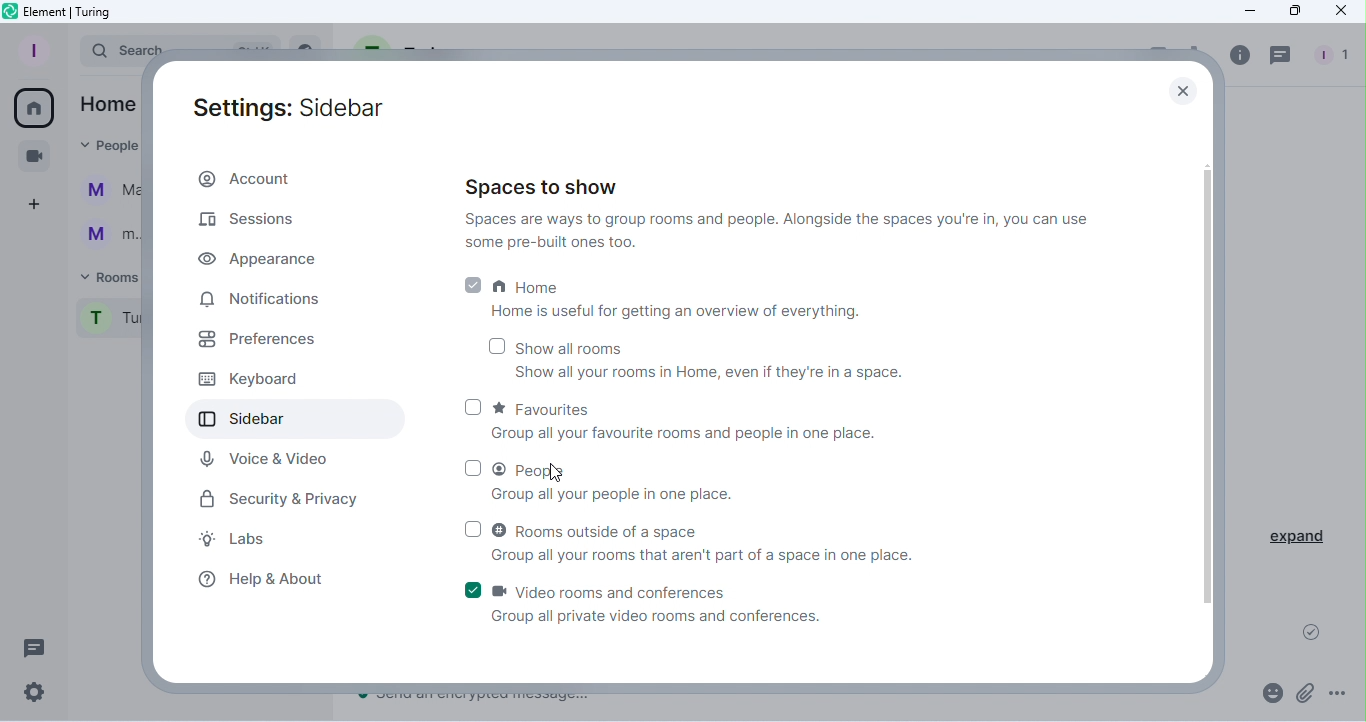 Image resolution: width=1366 pixels, height=722 pixels. Describe the element at coordinates (1250, 12) in the screenshot. I see `Minimize` at that location.